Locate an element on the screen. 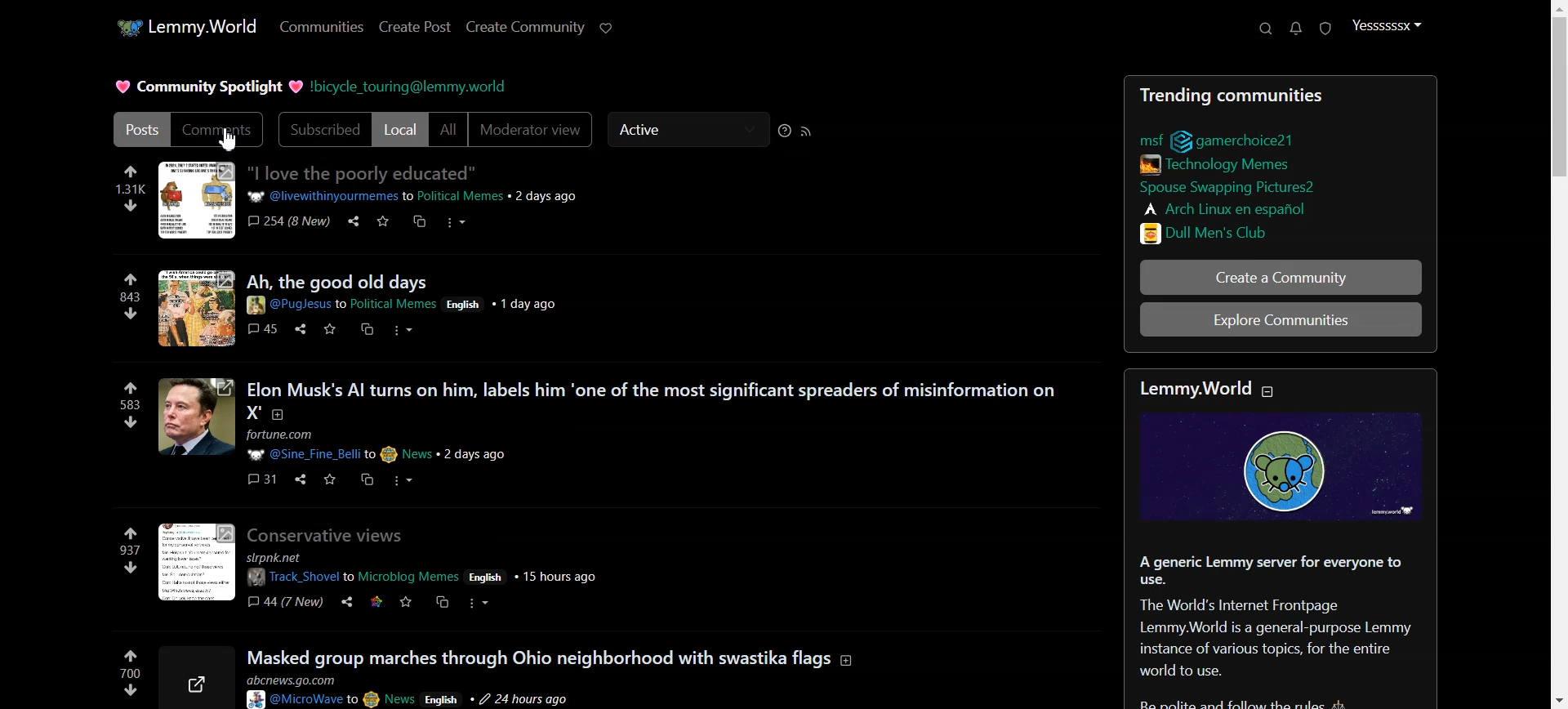 This screenshot has height=709, width=1568. Search is located at coordinates (1266, 29).